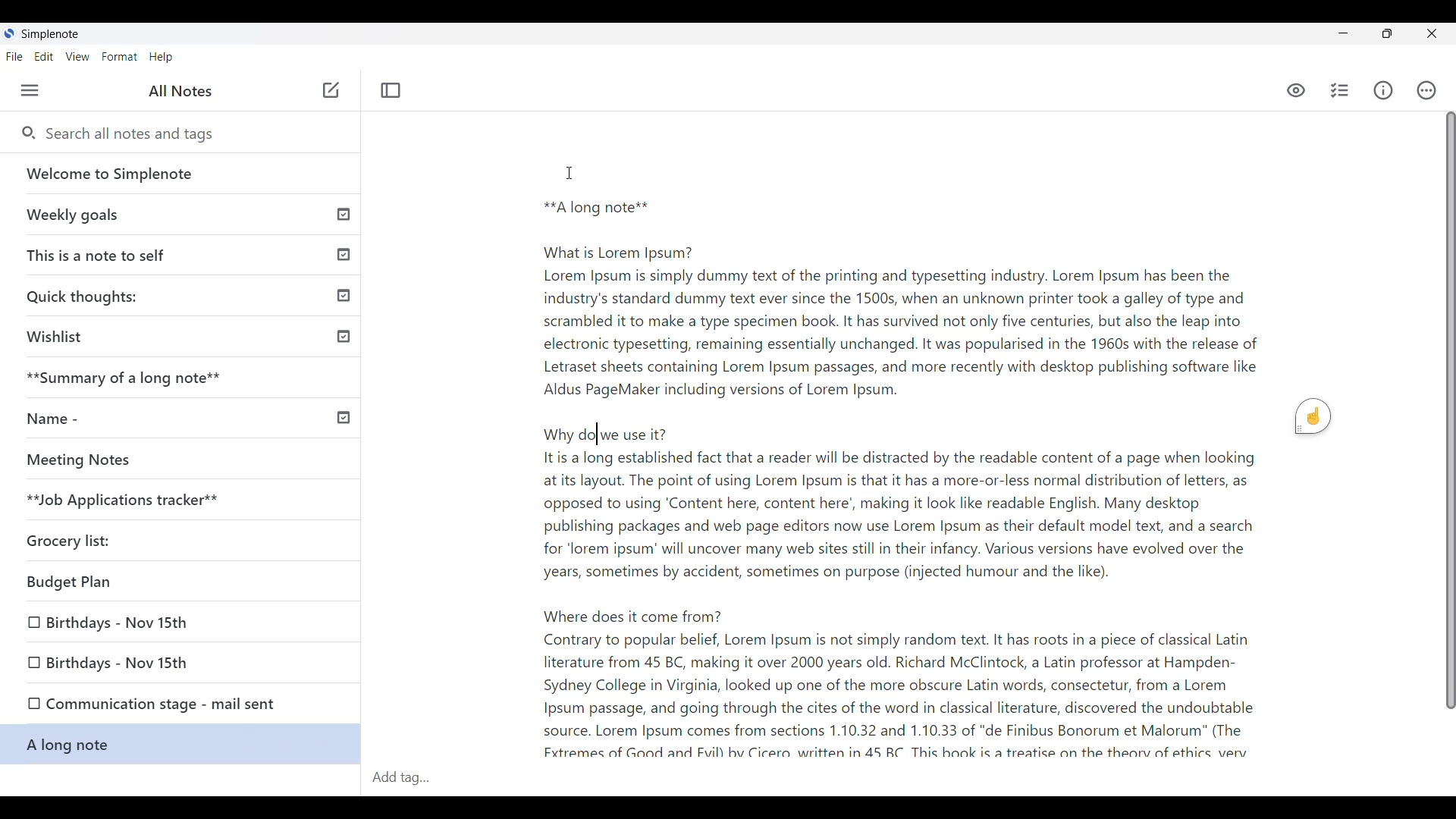  Describe the element at coordinates (893, 467) in the screenshot. I see `I
**A long note**
What is Lorem Ipsum?
Lorem Ipsum is simply dummy text of the printing and typesetting industry. Lorem Ipsum has been the
industry's standard dummy text ever since the 1500s, when an unknown printer took a galley of type and
scrambled it to make a type specimen book. It has survived not only five centuries, but also the leap into
electronic typesetting, remaining essentially unchanged. It was popularised in the 1960s with the release of
Letraset sheets containing Lorem Ipsum passages, and more recently with desktop publishing software like
Aldus PageMaker including versions of Lorem Ipsum.
Why do|we use it?
Itis a long established fact that a reader will be distracted by the readable content of a page when looking
at its layout. The point of using Lorem Ipsum is that it has a more-or-less normal distribution of letters, as
opposed to using ‘Content here, content here’, making it look like readable English. Many desktop
publishing packages and web page editors now use Lorem Ipsum as their default model text, and a search
for ‘lorem ipsum’ will uncover many web sites still in their infancy. Various versions have evolved over the
years, sometimes by accident, sometimes on purpose (injected humour and the like).
Where does it come from?
Contrary to popular belief, Lorem Ipsum is not simply random text. It has roots in a piece of classical Latin
literature from 45 BC, making it over 2000 years old. Richard McClintock, a Latin professor at Hampden-
Sydney College in Virginia, looked up one of the more obscure Latin words, consectetur, from a Lorem
Ipsum passage, and going through the cites of the word in classical literature, discovered the undoubtable
source. Lorem Ipsum comes from sections 1.10.32 and 1.10.33 of "de Finibus Bonorum et Malorum" (The
Fxtremes of Good and Fuill bv Cicera written in 45 RC This hook is a treatise on the thearv of ethics very` at that location.